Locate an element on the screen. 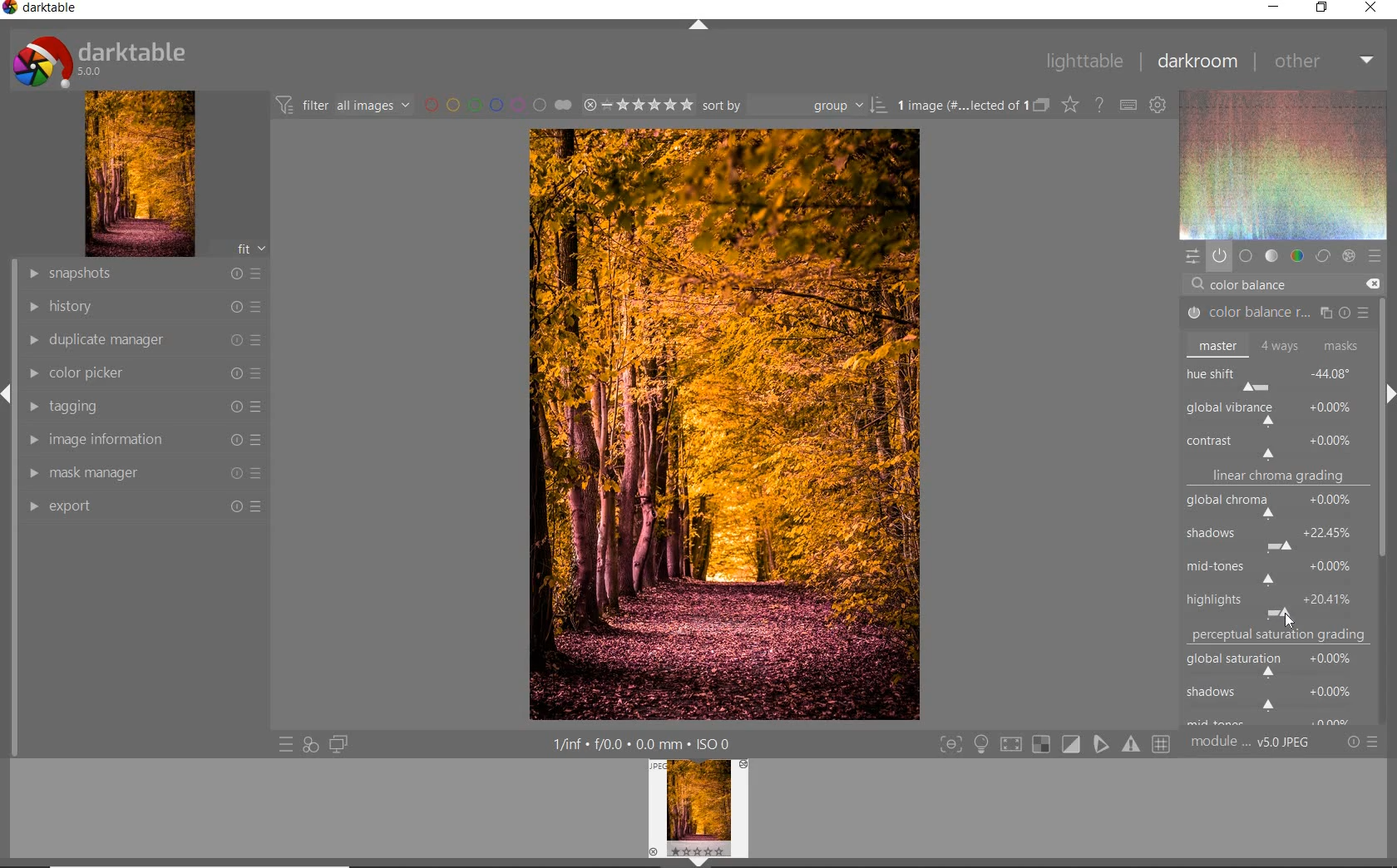  hue shift is located at coordinates (1277, 377).